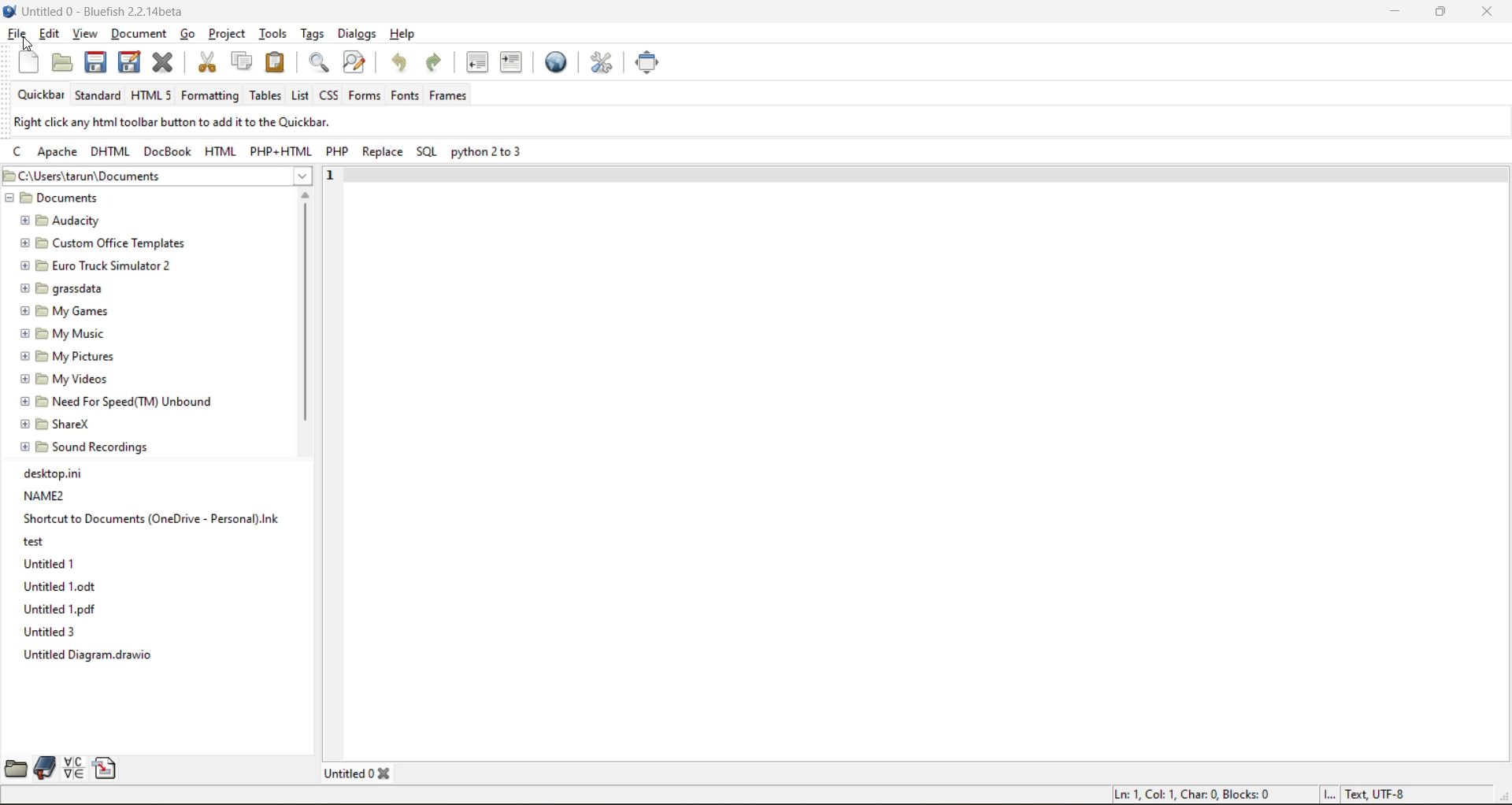 This screenshot has width=1512, height=805. What do you see at coordinates (486, 152) in the screenshot?
I see `python 2 to 3` at bounding box center [486, 152].